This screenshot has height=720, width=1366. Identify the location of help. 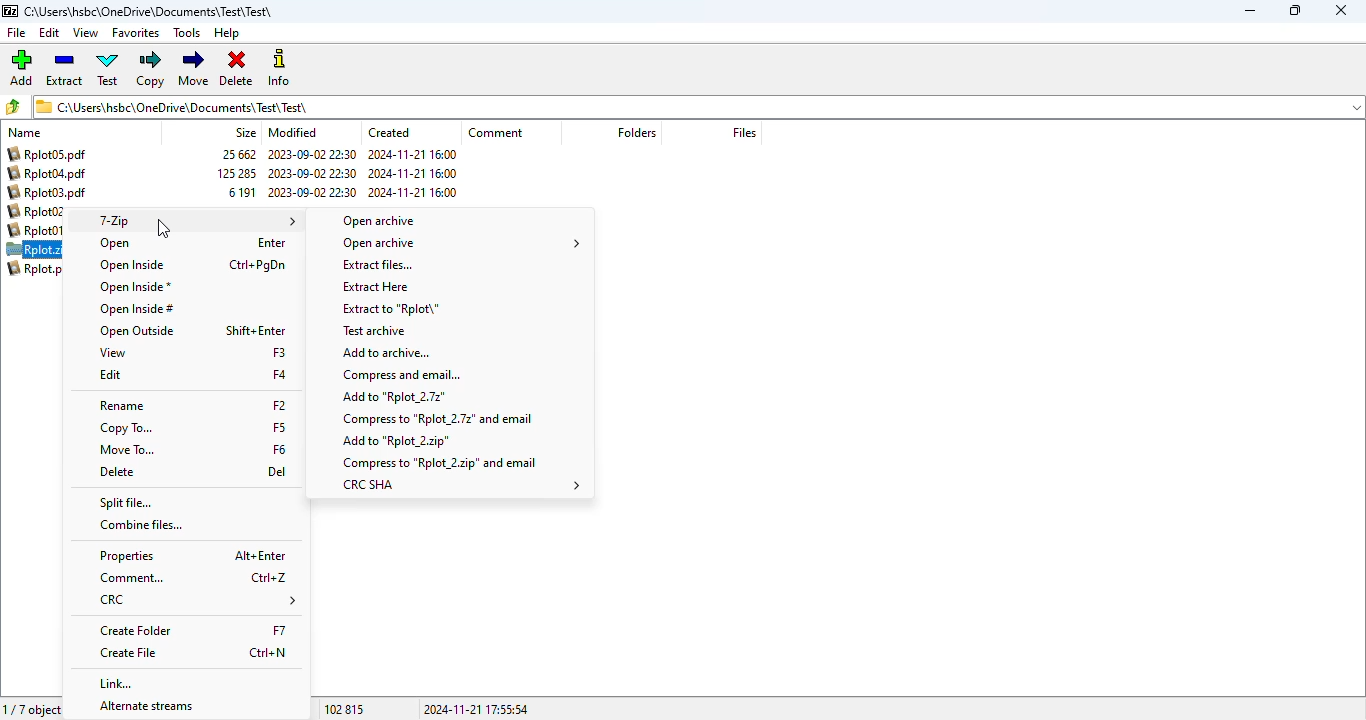
(226, 34).